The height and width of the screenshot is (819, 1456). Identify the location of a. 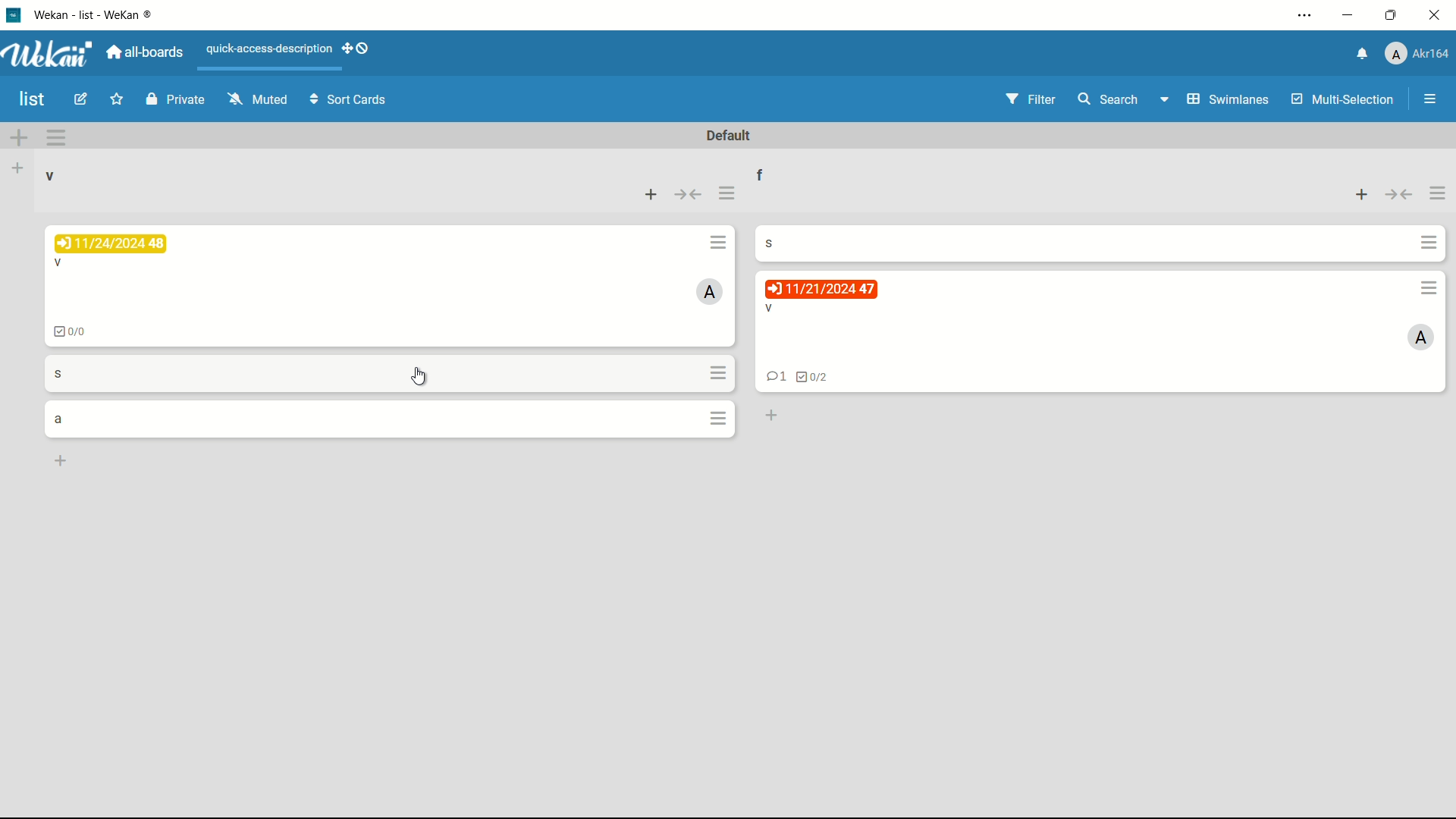
(58, 420).